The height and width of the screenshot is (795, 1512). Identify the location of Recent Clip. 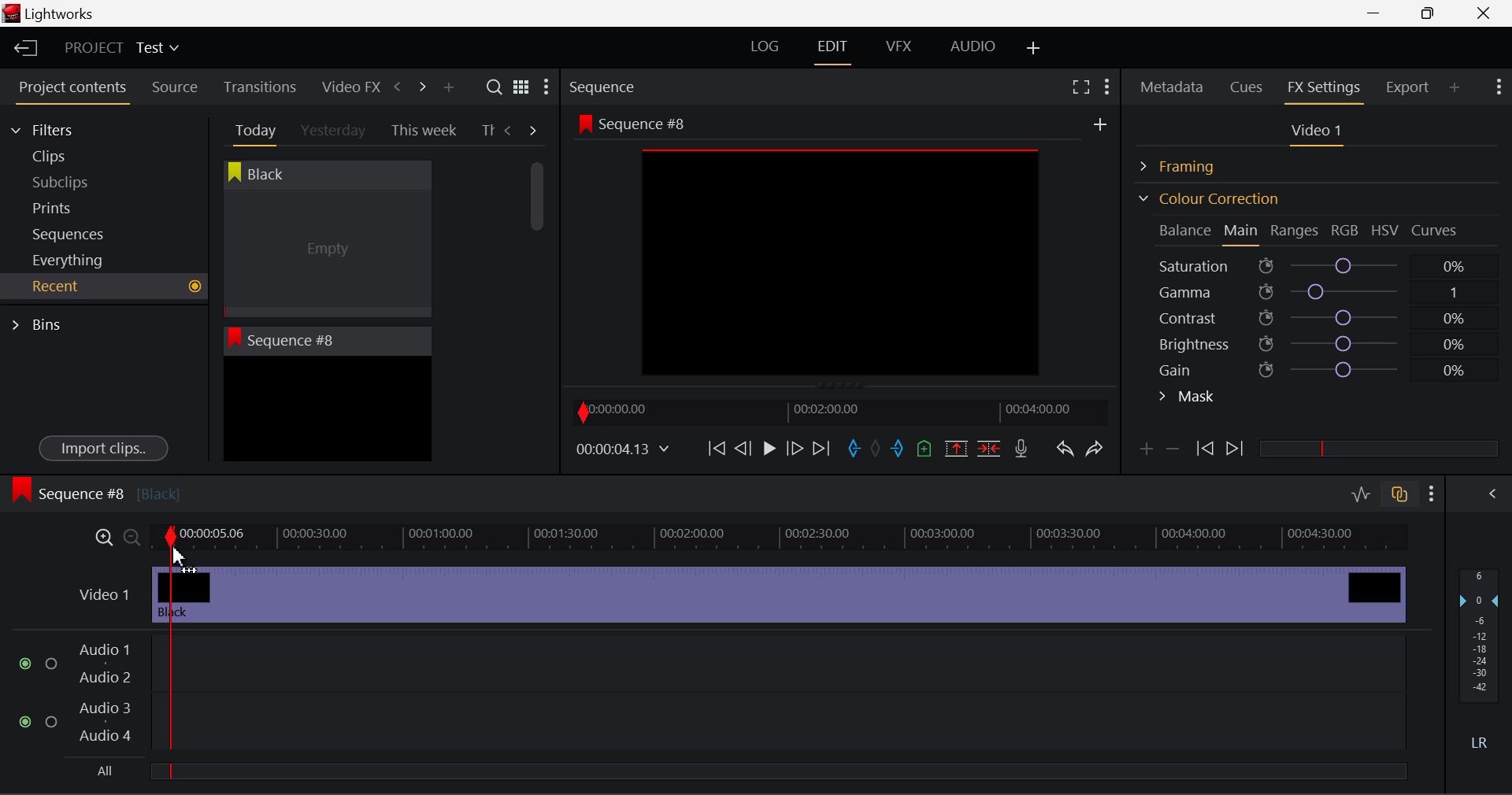
(327, 412).